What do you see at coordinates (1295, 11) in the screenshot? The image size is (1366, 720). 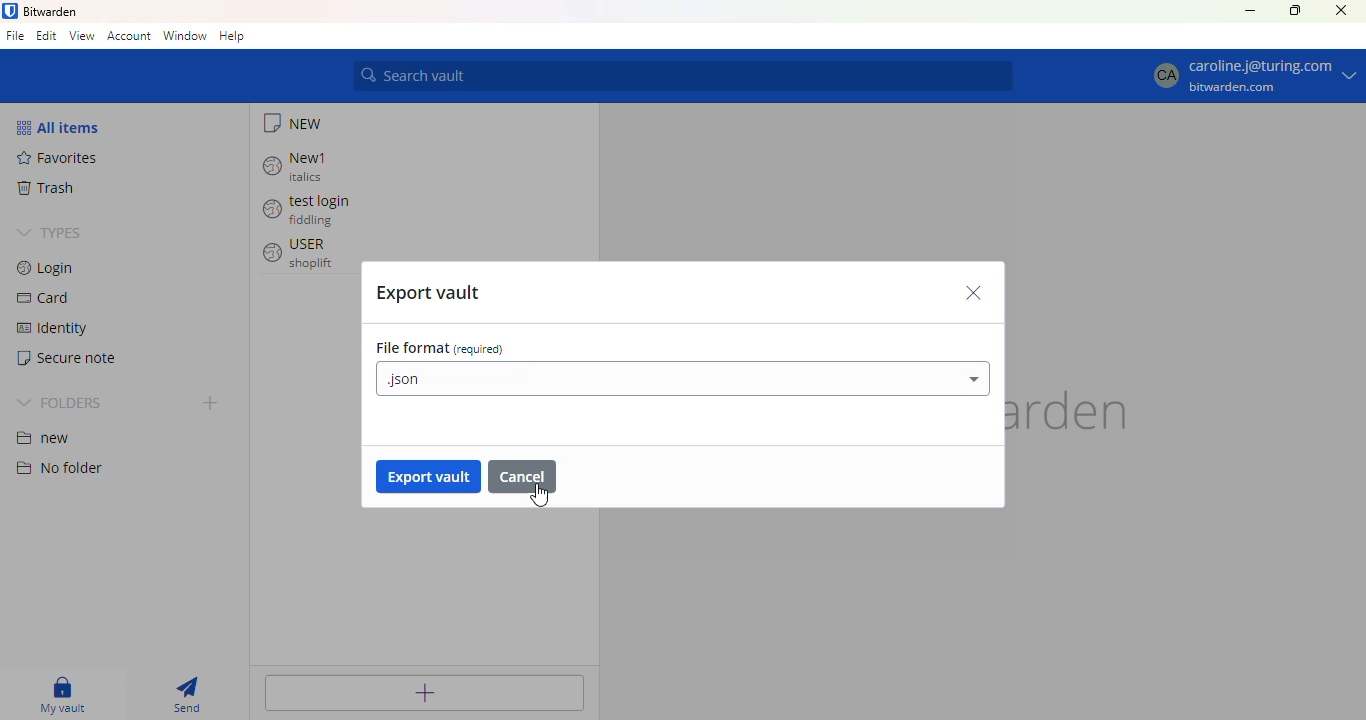 I see `maximize` at bounding box center [1295, 11].